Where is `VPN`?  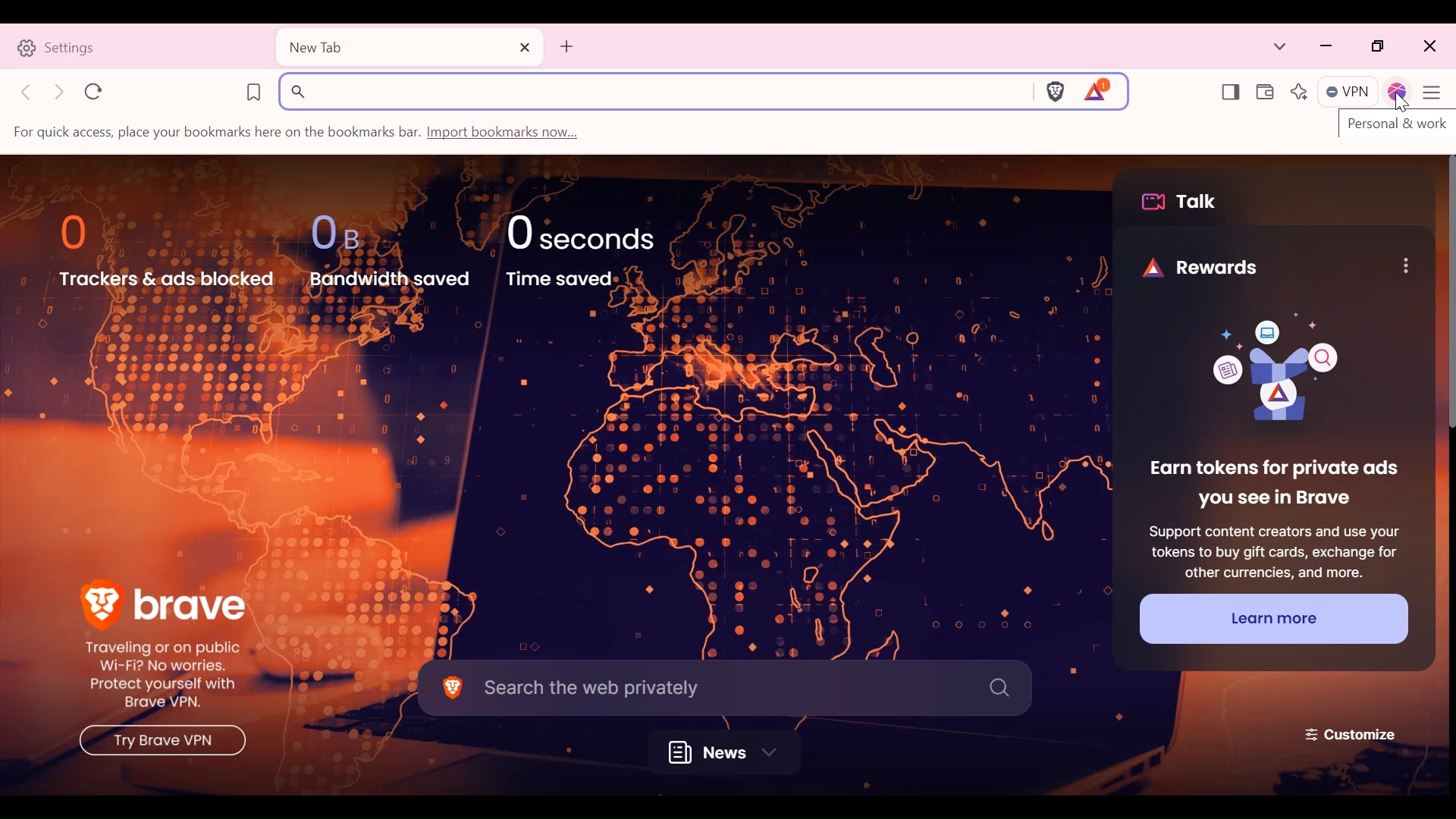
VPN is located at coordinates (1349, 93).